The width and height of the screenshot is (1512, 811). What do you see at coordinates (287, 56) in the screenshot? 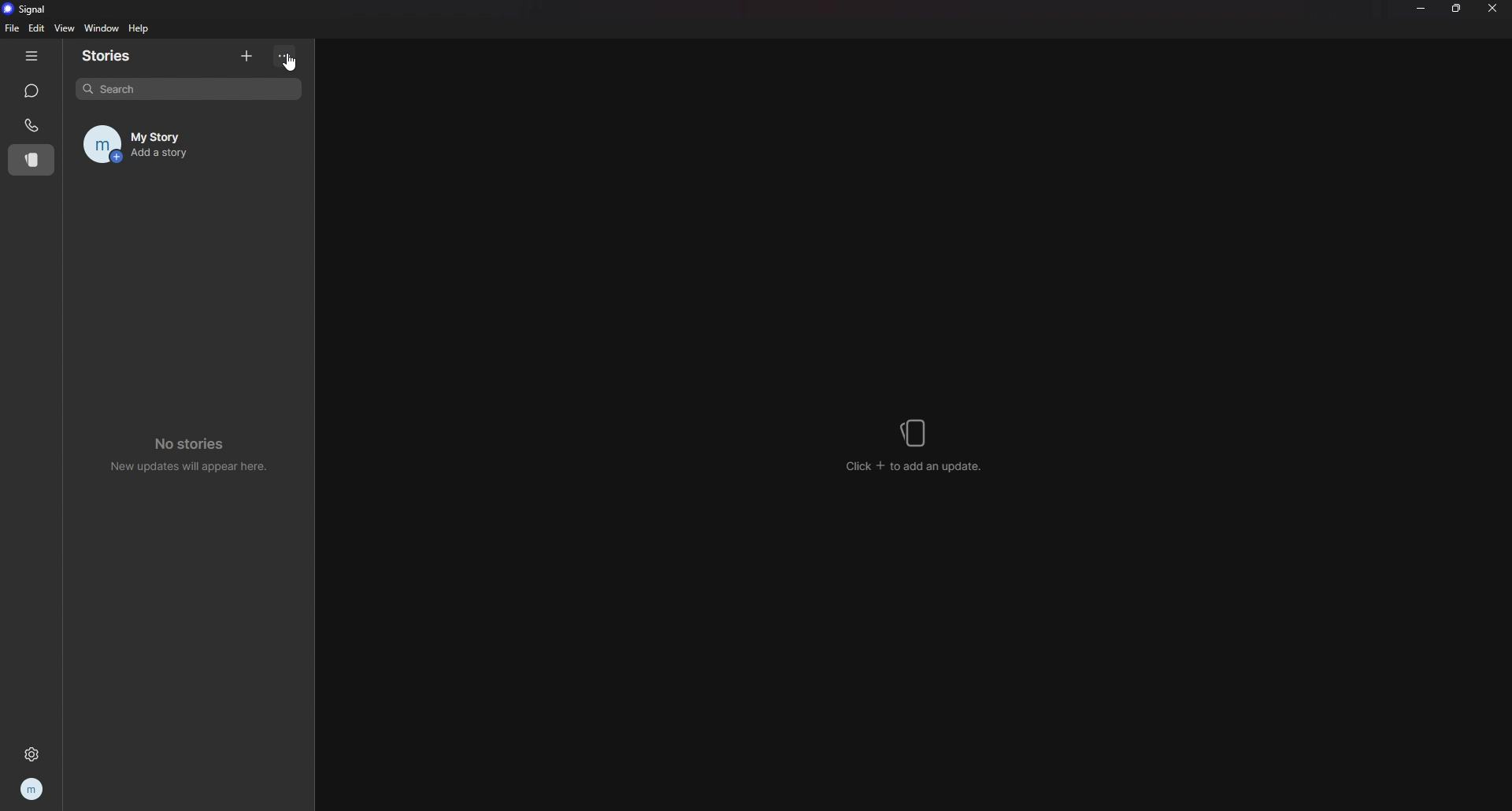
I see `options` at bounding box center [287, 56].